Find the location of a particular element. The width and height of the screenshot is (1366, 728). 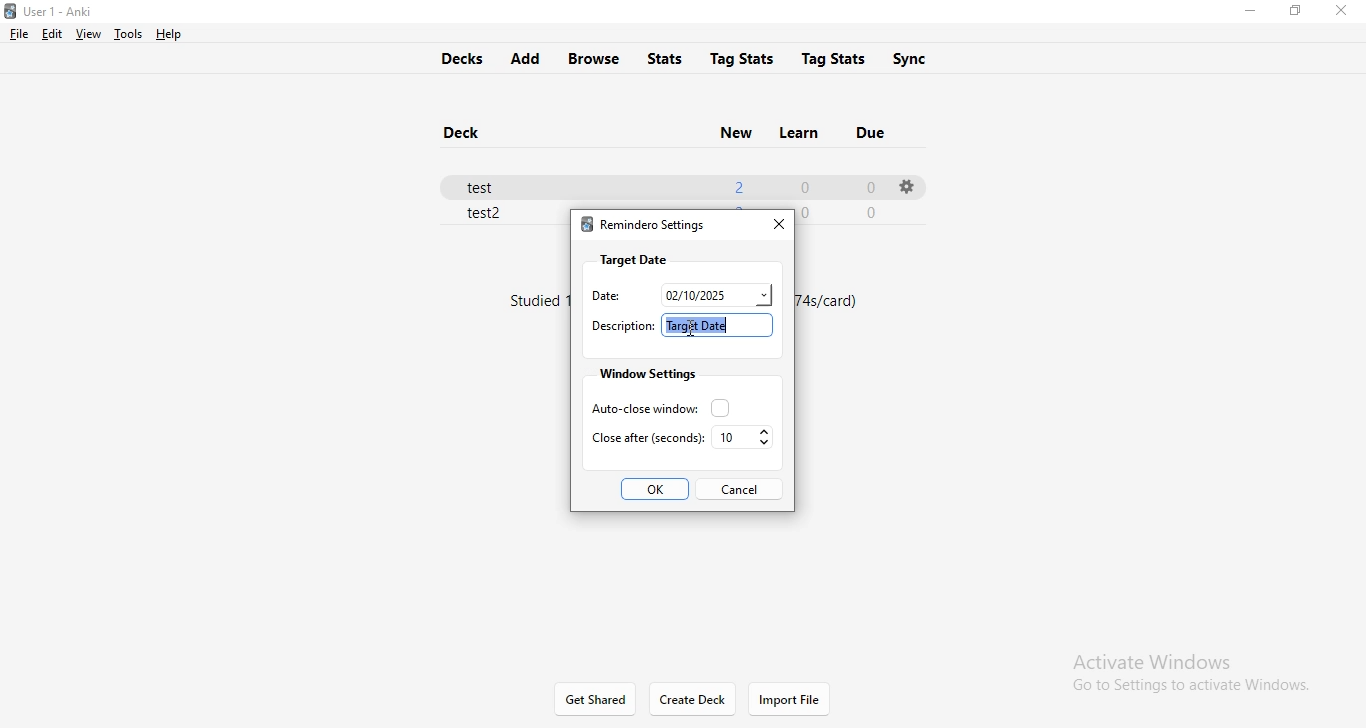

text is located at coordinates (839, 302).